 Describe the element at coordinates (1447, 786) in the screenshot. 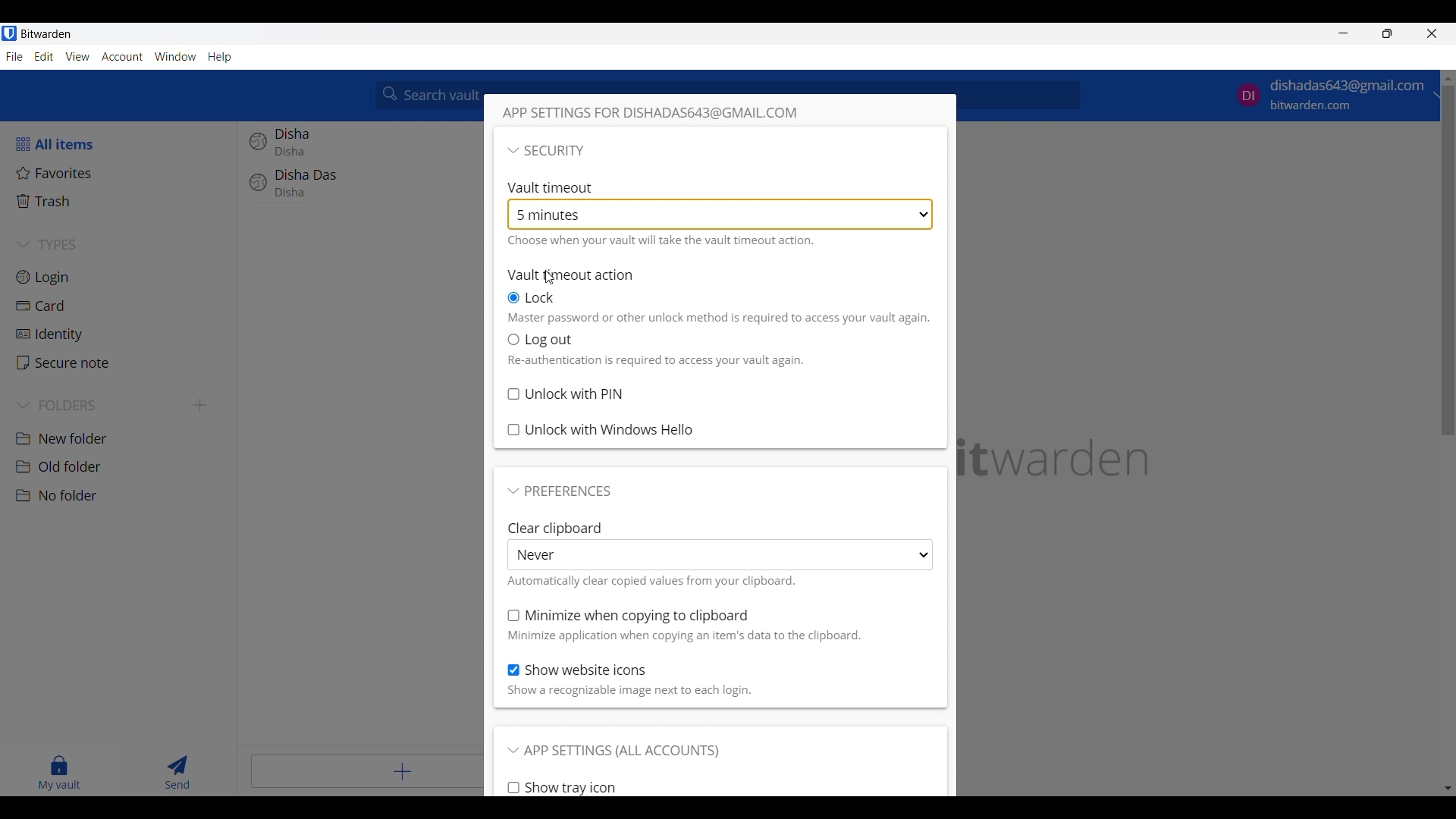

I see `move down` at that location.